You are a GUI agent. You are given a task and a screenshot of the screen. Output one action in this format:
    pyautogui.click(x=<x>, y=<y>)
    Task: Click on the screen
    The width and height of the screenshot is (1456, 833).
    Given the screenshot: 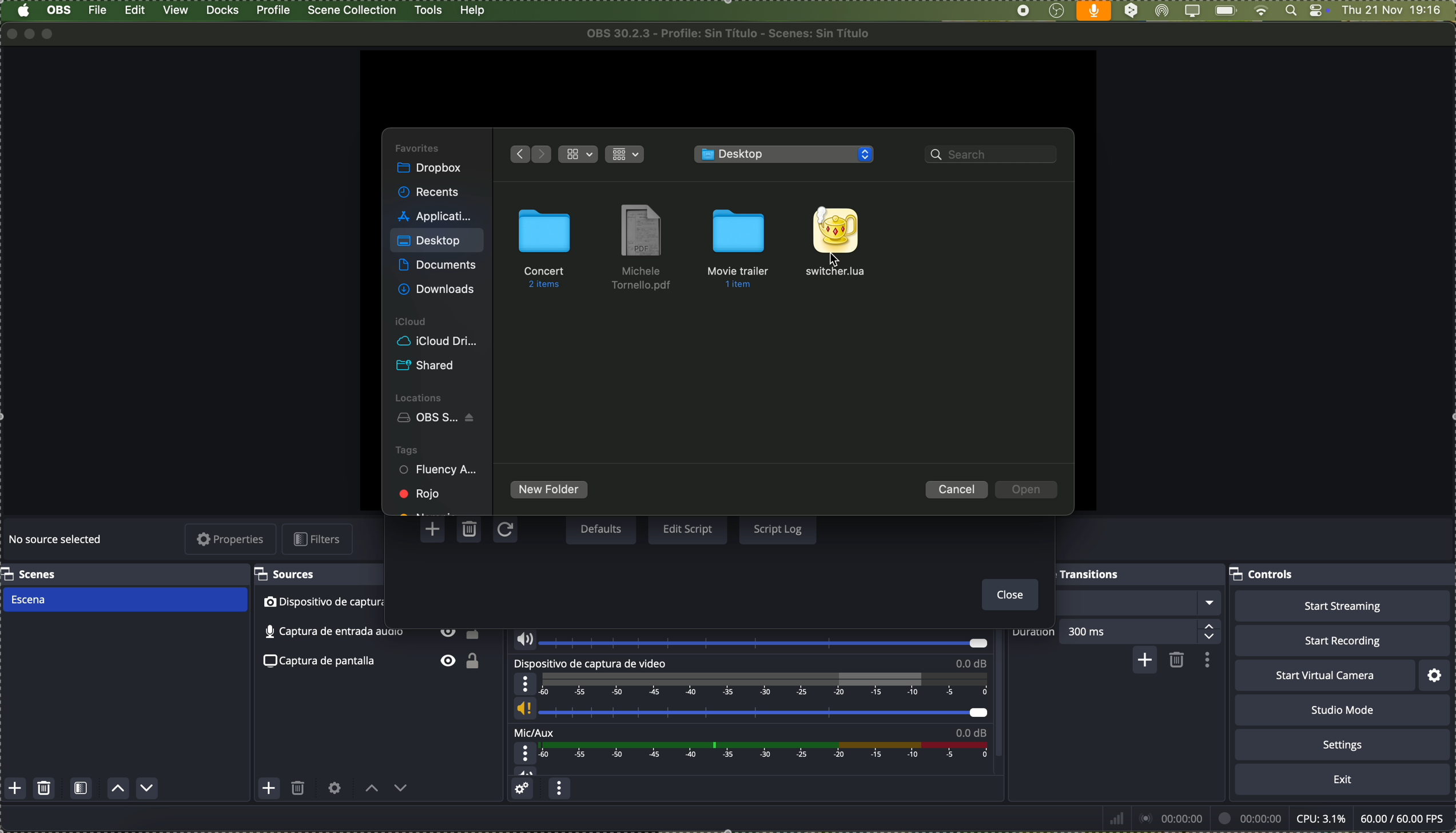 What is the action you would take?
    pyautogui.click(x=1191, y=11)
    